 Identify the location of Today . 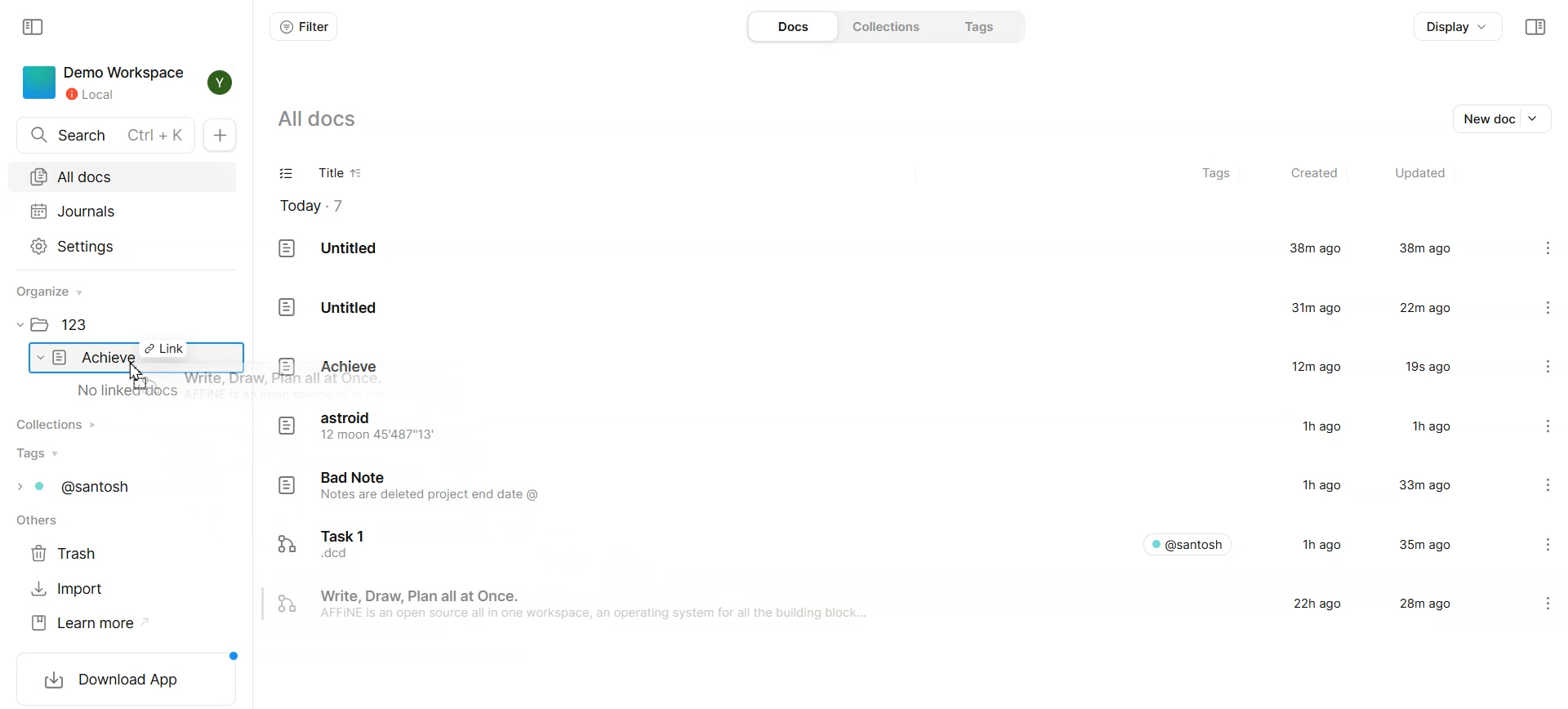
(321, 206).